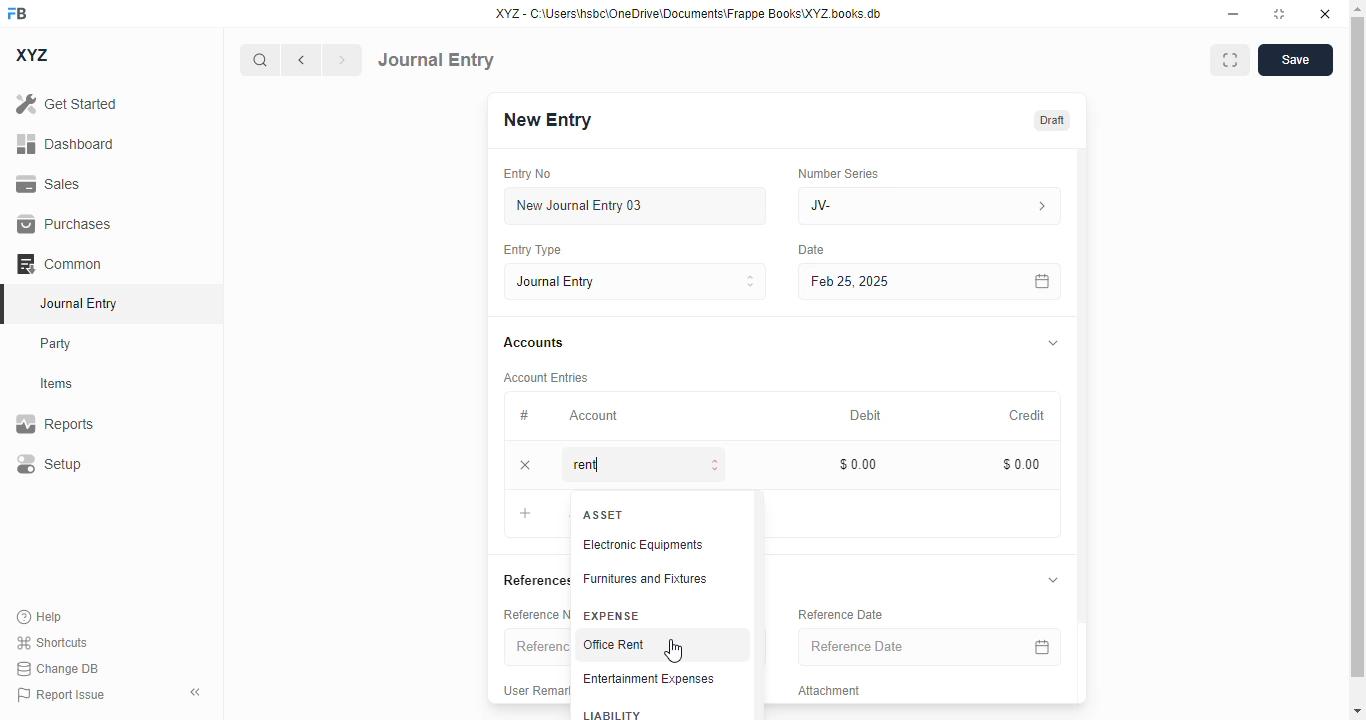 Image resolution: width=1366 pixels, height=720 pixels. I want to click on attachment, so click(828, 690).